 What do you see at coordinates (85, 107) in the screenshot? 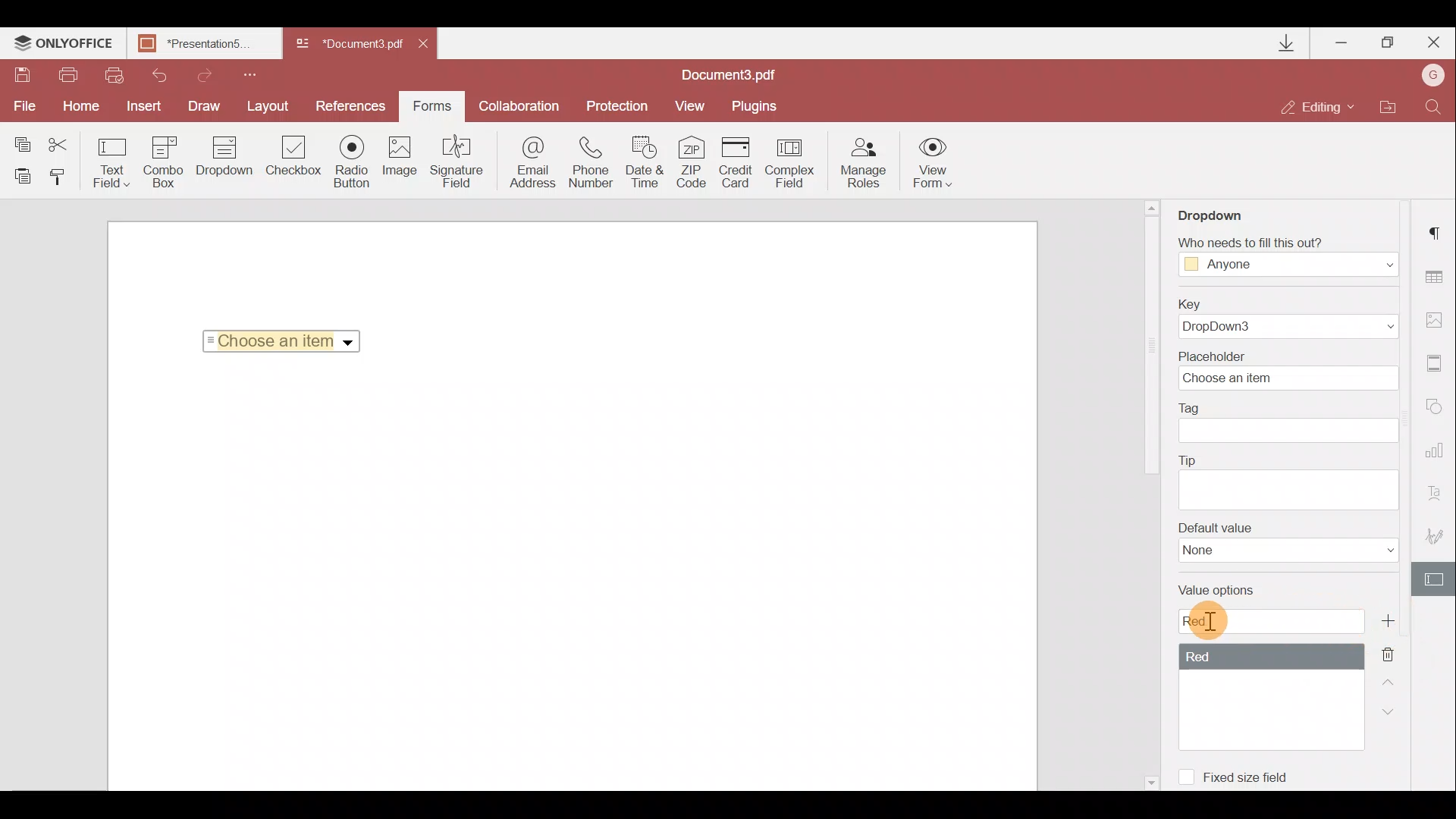
I see `Home` at bounding box center [85, 107].